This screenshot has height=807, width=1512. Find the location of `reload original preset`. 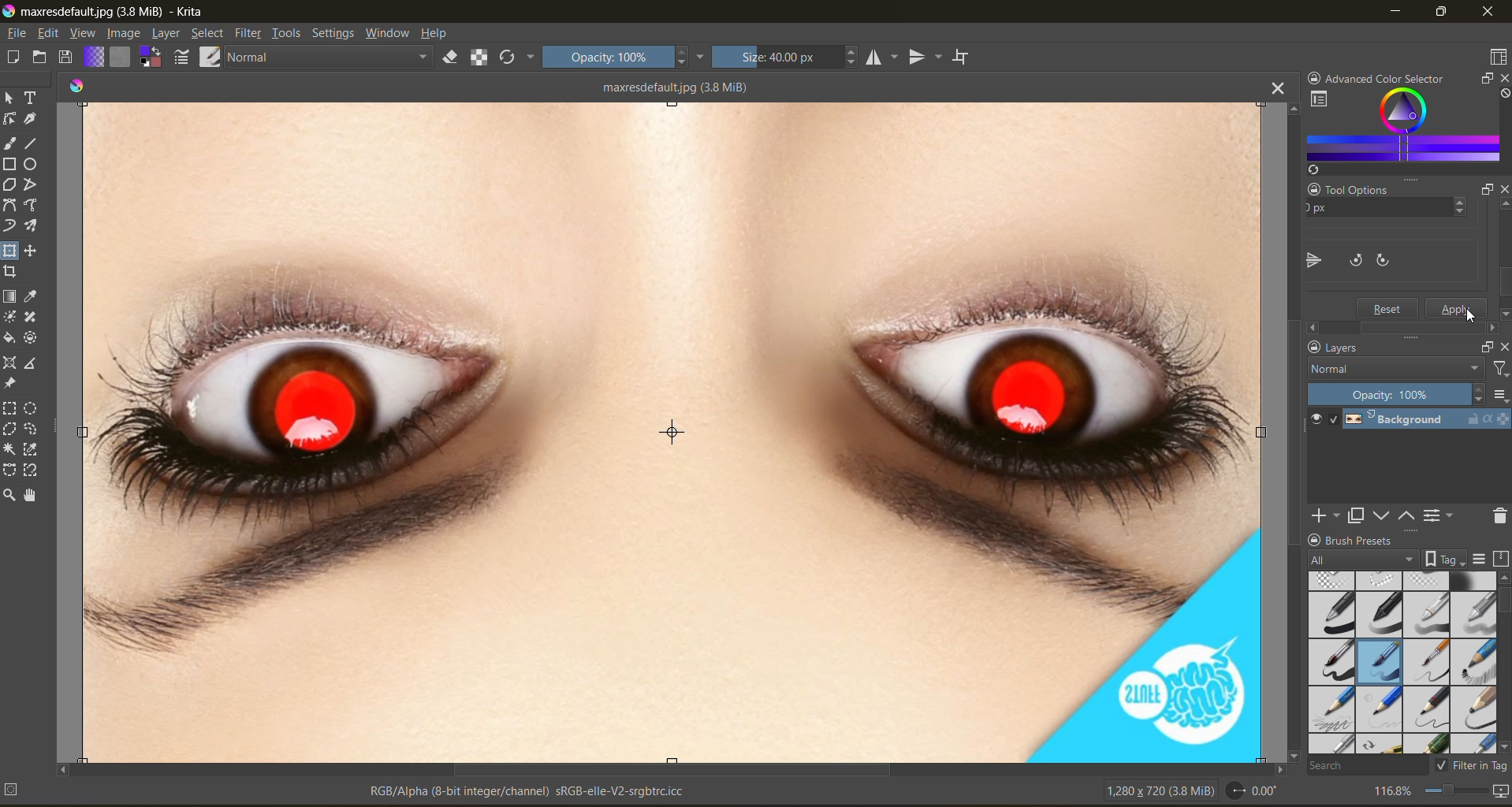

reload original preset is located at coordinates (512, 58).